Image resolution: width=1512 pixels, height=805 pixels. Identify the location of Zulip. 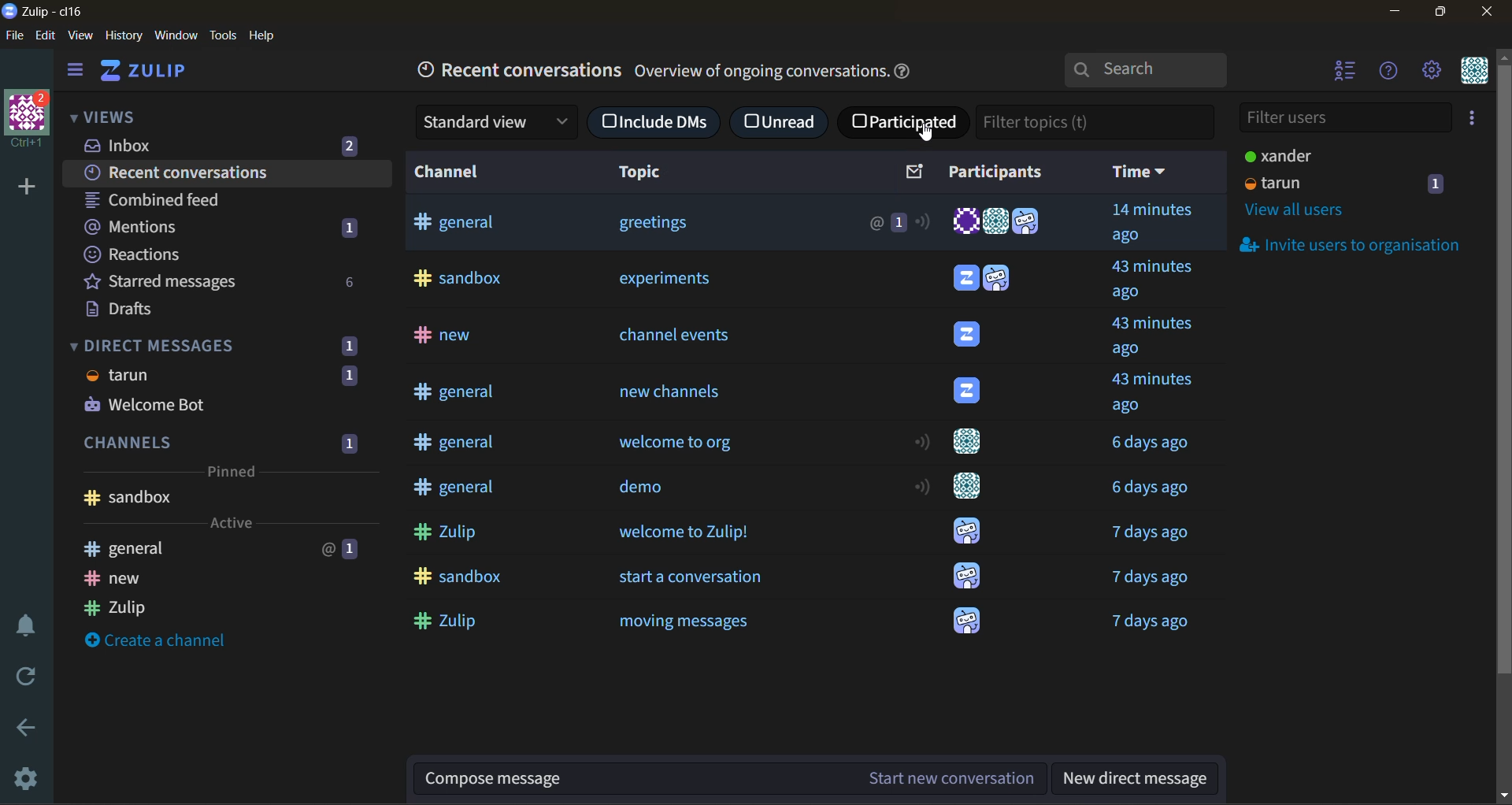
(447, 619).